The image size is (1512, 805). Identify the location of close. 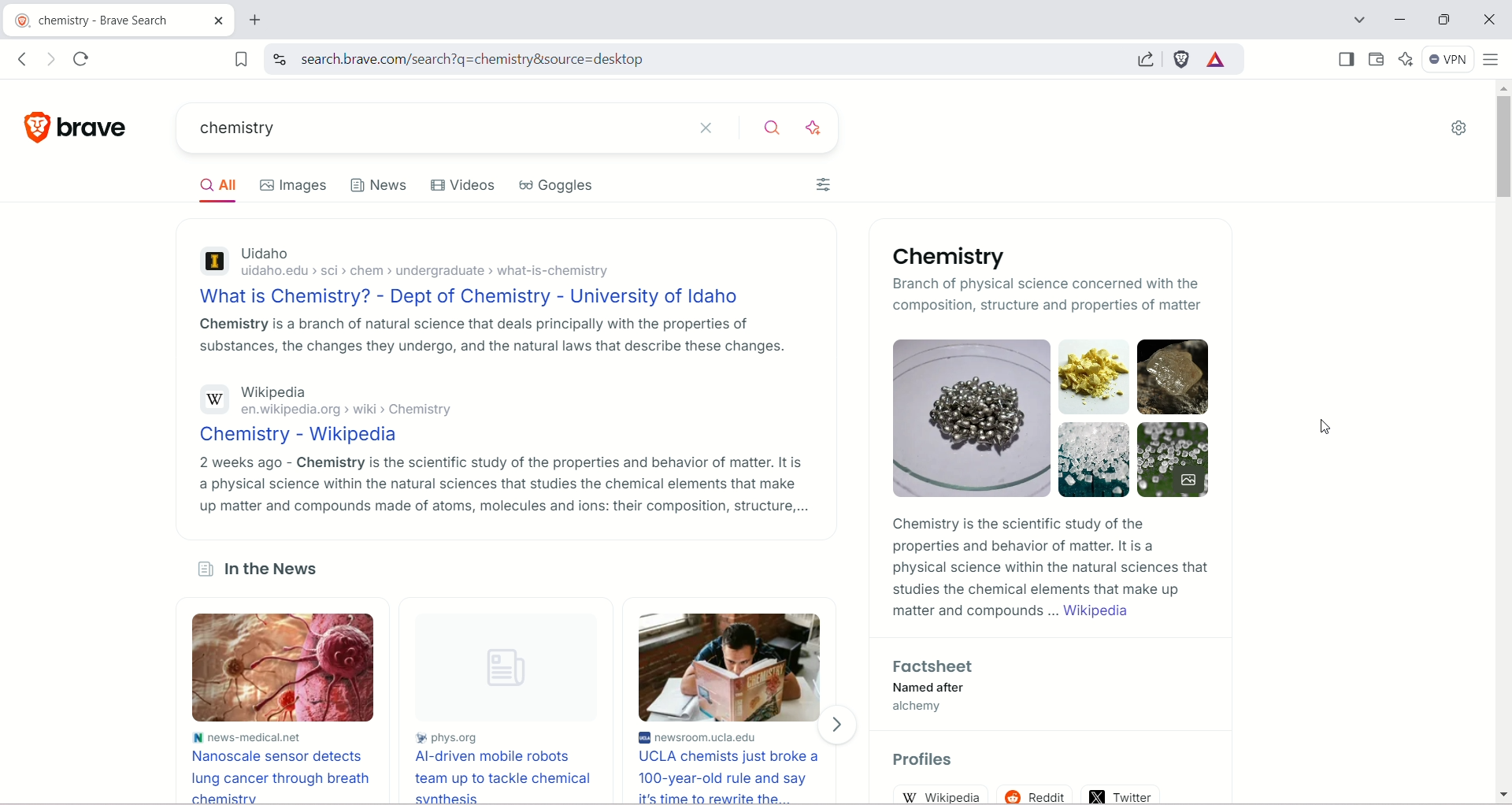
(1490, 17).